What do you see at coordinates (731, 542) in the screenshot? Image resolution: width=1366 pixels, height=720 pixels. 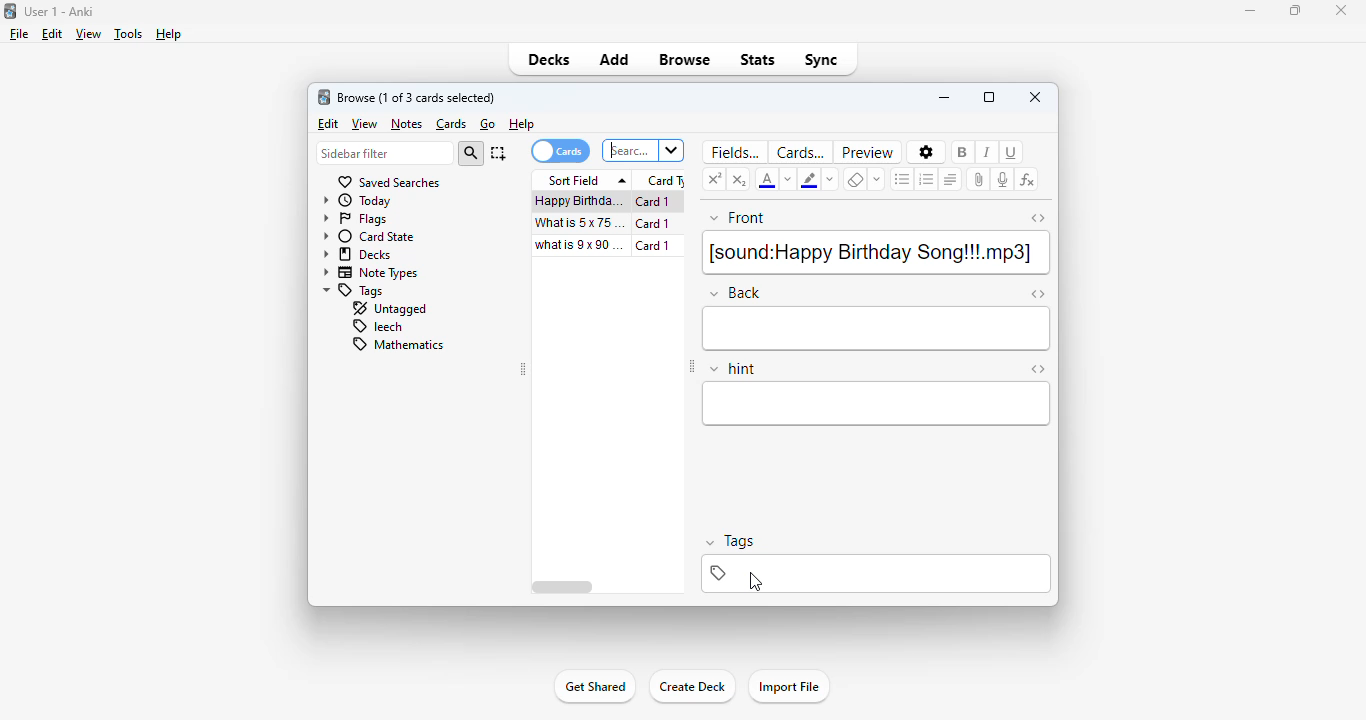 I see `tags` at bounding box center [731, 542].